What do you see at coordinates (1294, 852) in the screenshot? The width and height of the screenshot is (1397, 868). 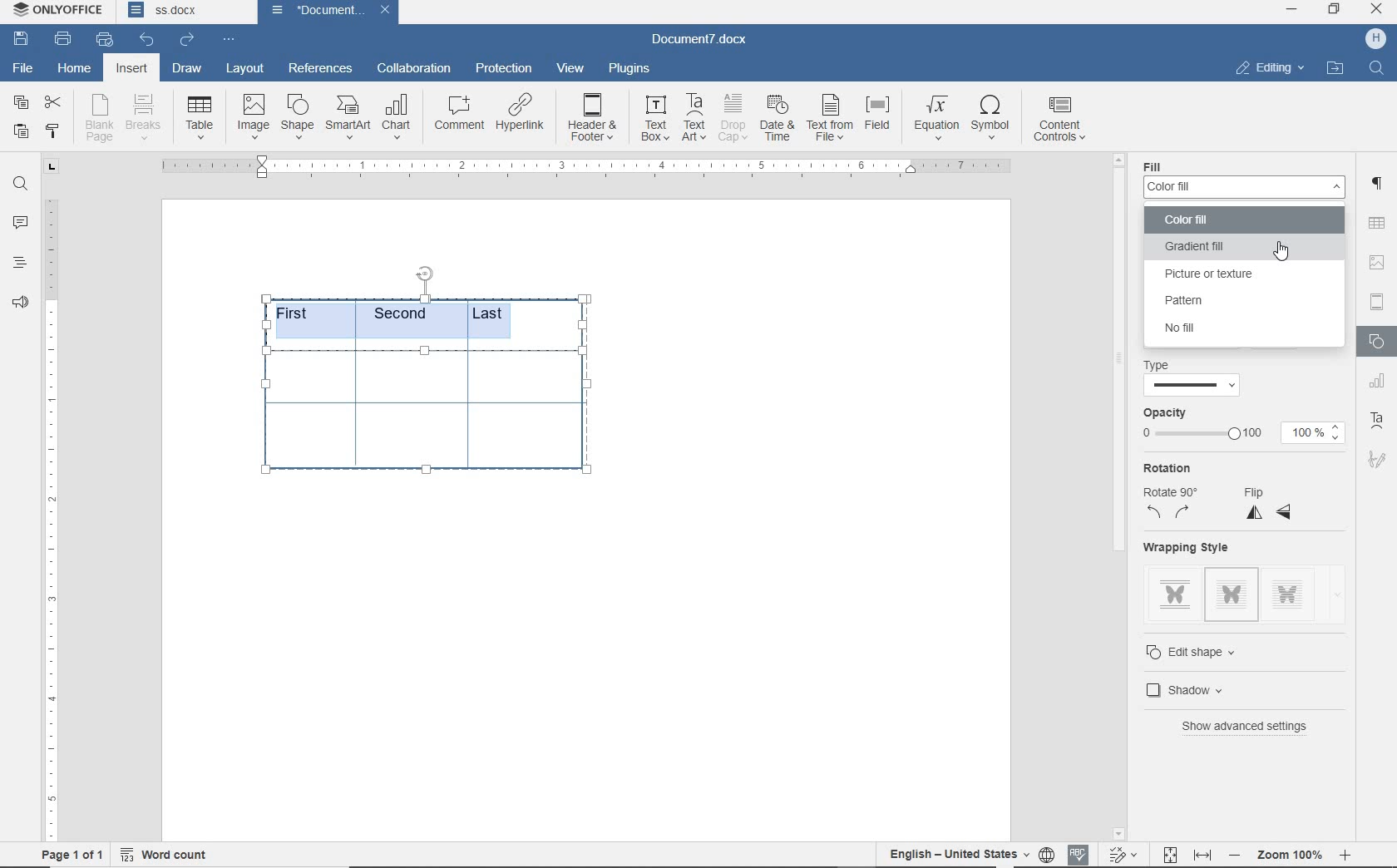 I see `zoom out or zoom in` at bounding box center [1294, 852].